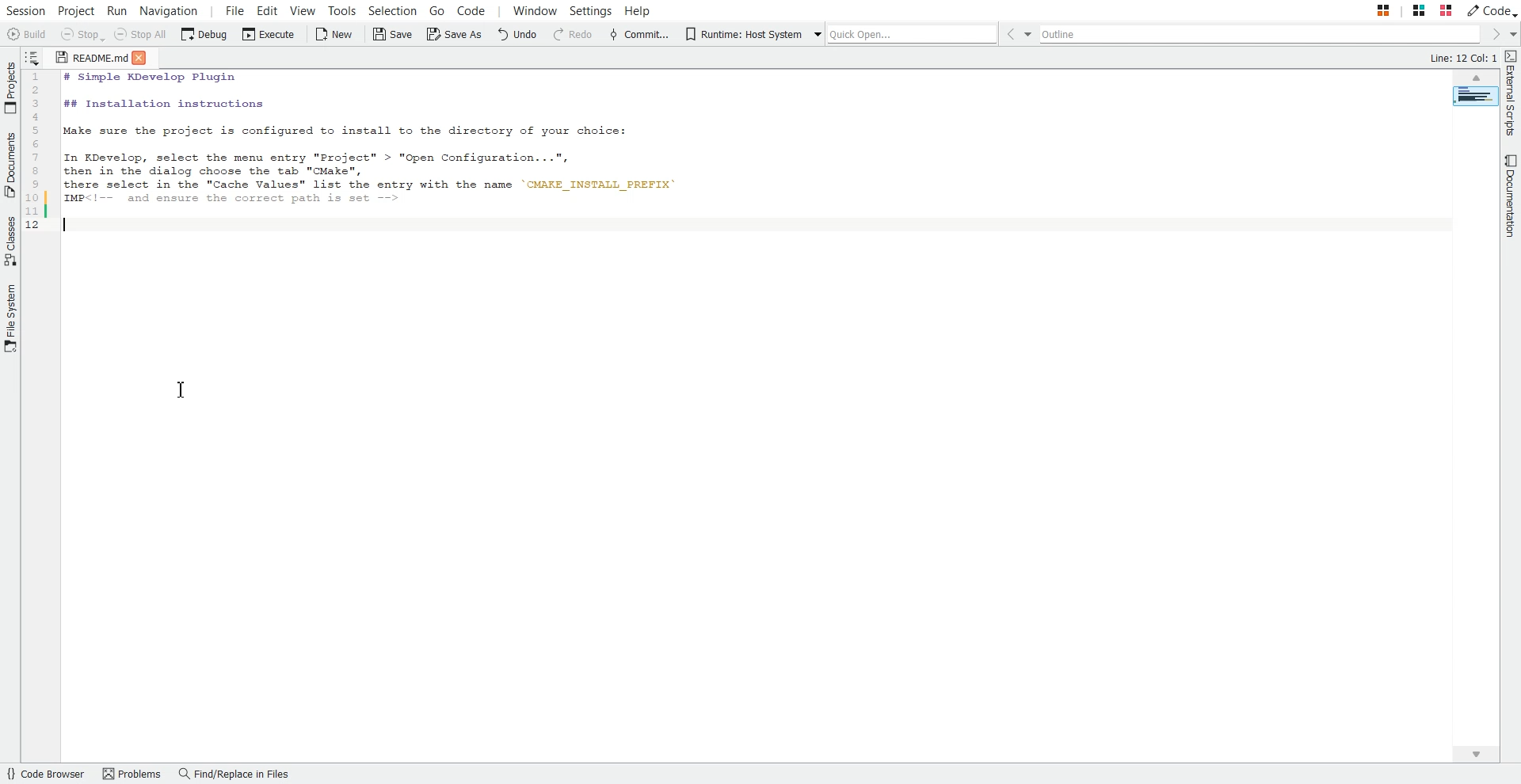 The width and height of the screenshot is (1521, 784). What do you see at coordinates (140, 35) in the screenshot?
I see `Stop all` at bounding box center [140, 35].